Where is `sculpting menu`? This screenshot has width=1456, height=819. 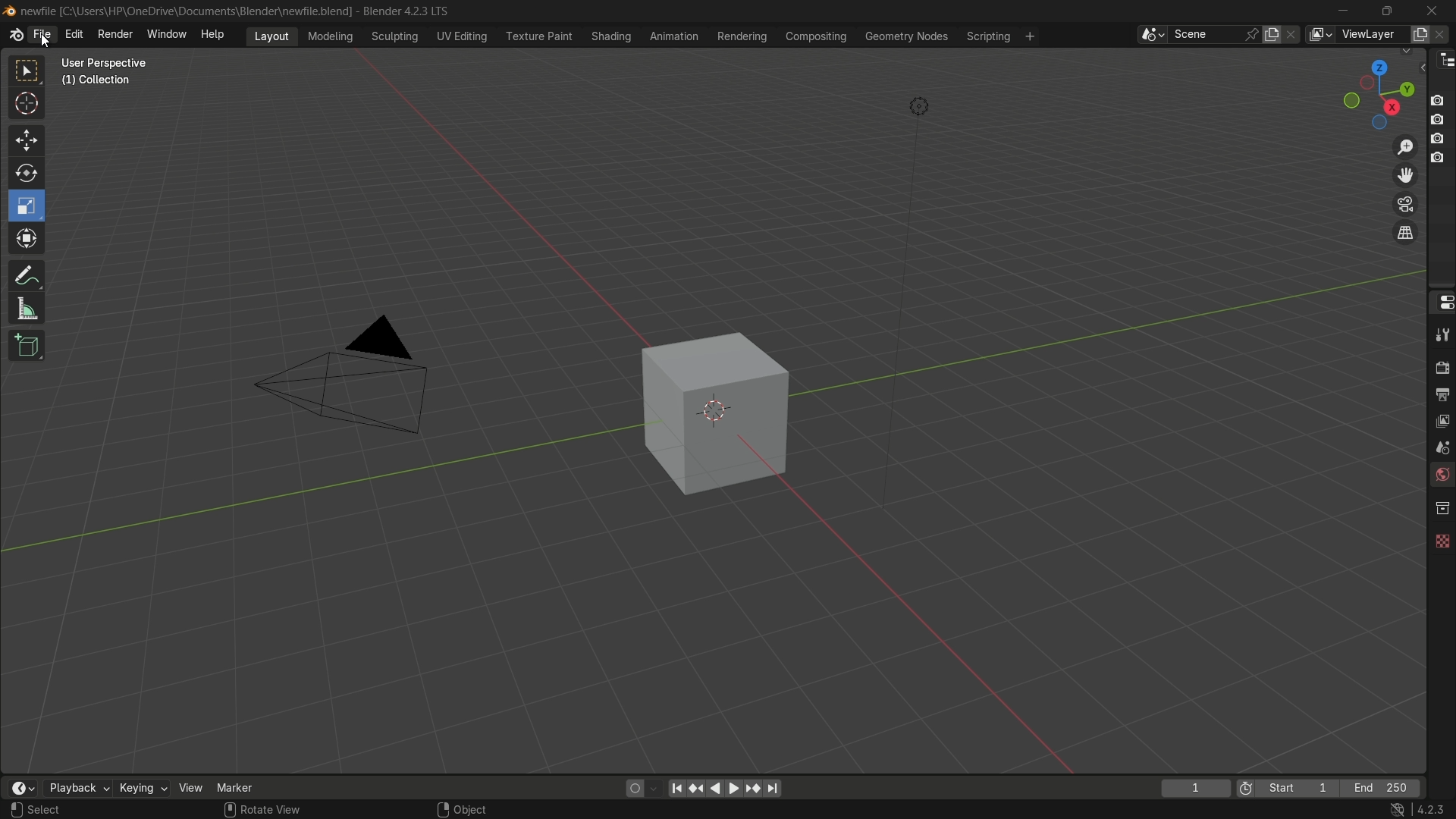 sculpting menu is located at coordinates (391, 36).